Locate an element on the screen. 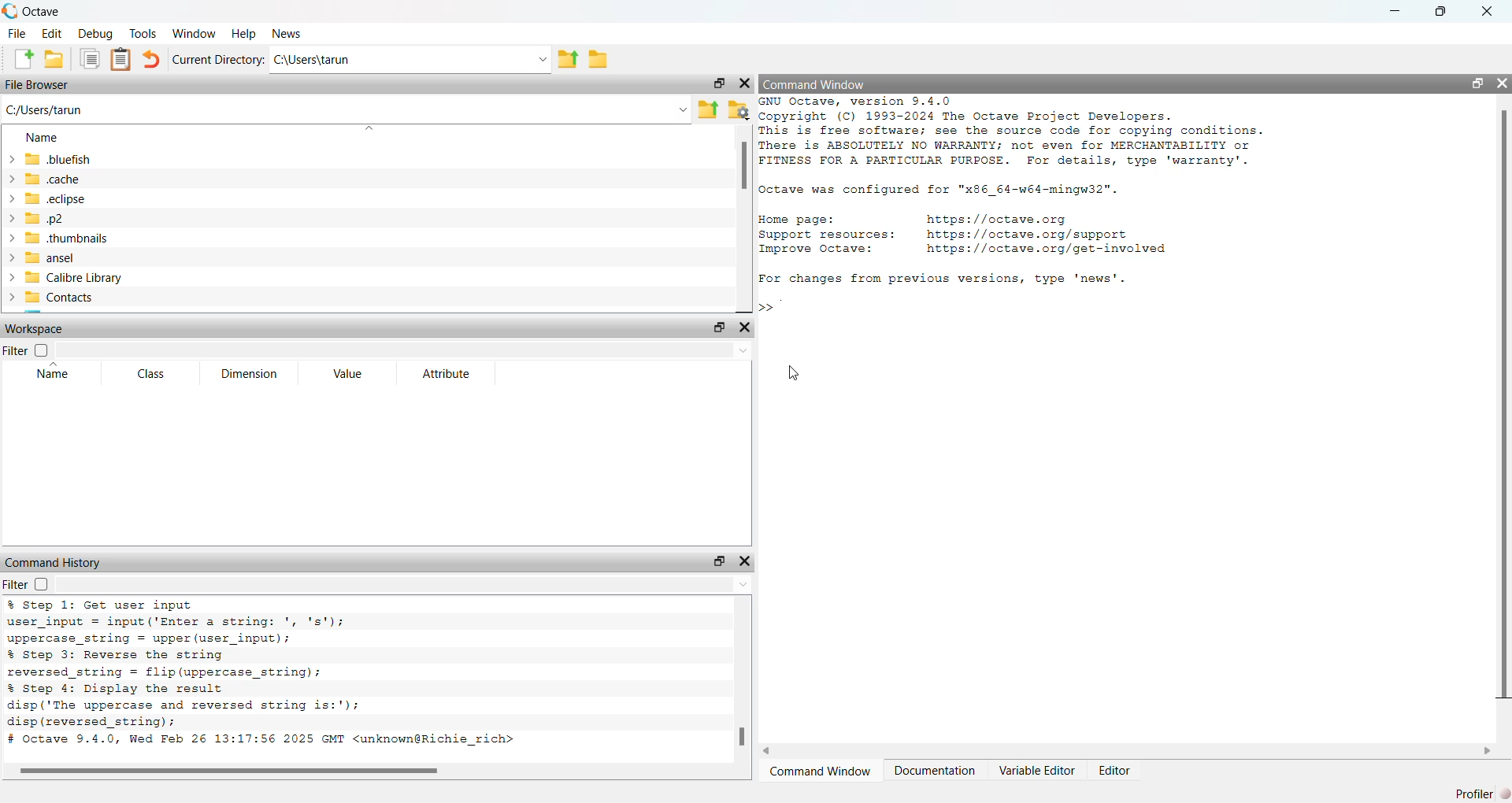 This screenshot has width=1512, height=803. move right is located at coordinates (1488, 750).